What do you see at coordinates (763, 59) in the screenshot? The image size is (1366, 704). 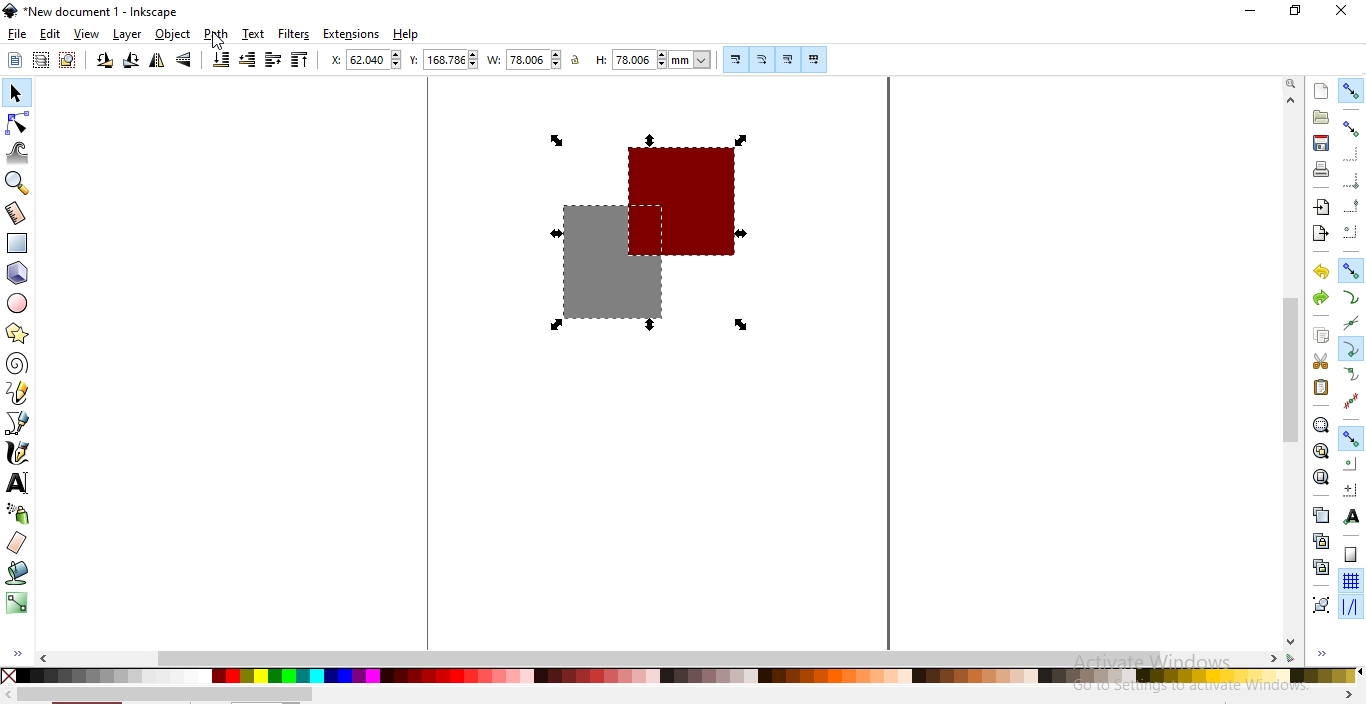 I see `scale radii of rounded corners` at bounding box center [763, 59].